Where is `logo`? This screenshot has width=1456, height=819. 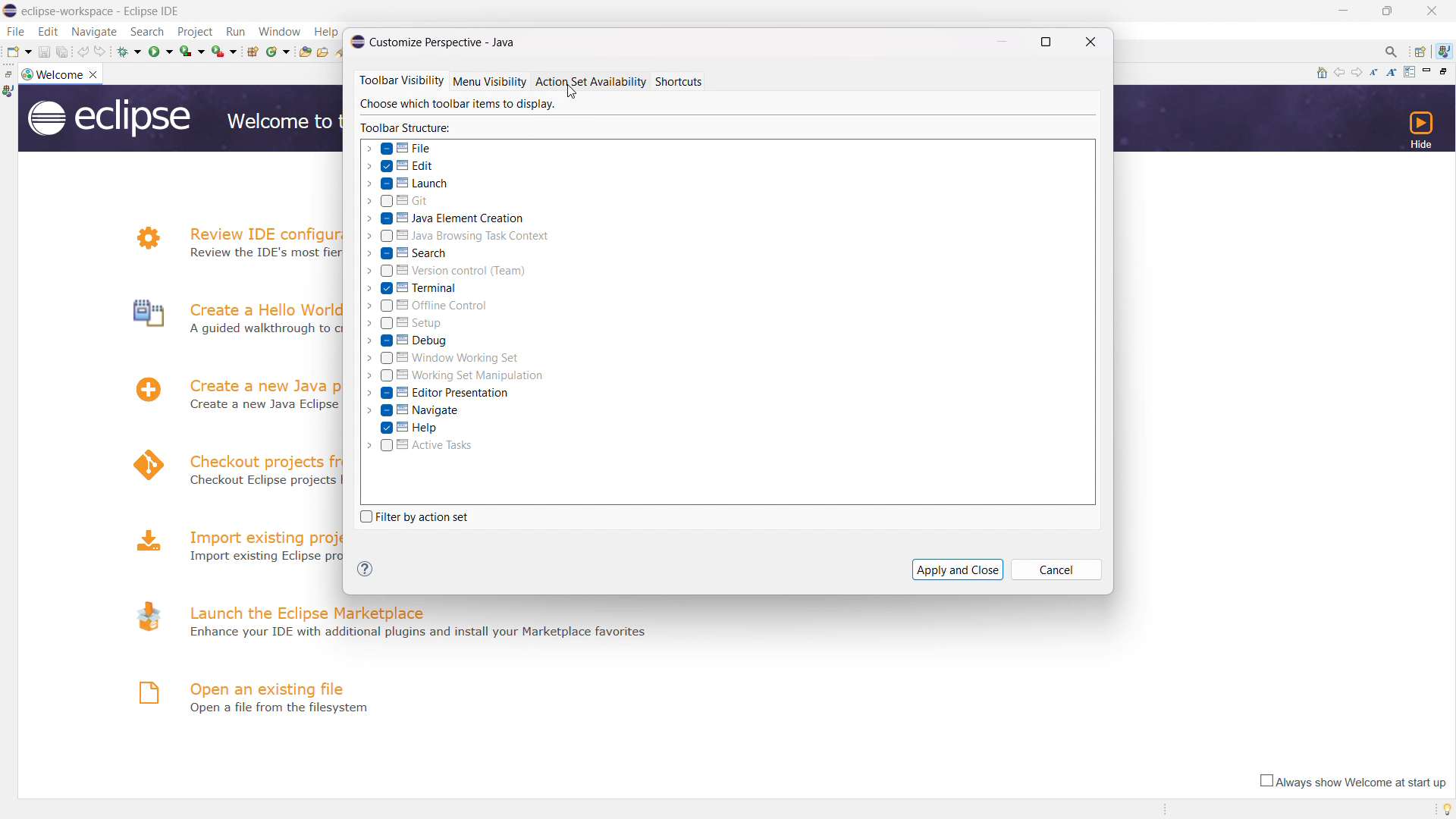 logo is located at coordinates (359, 42).